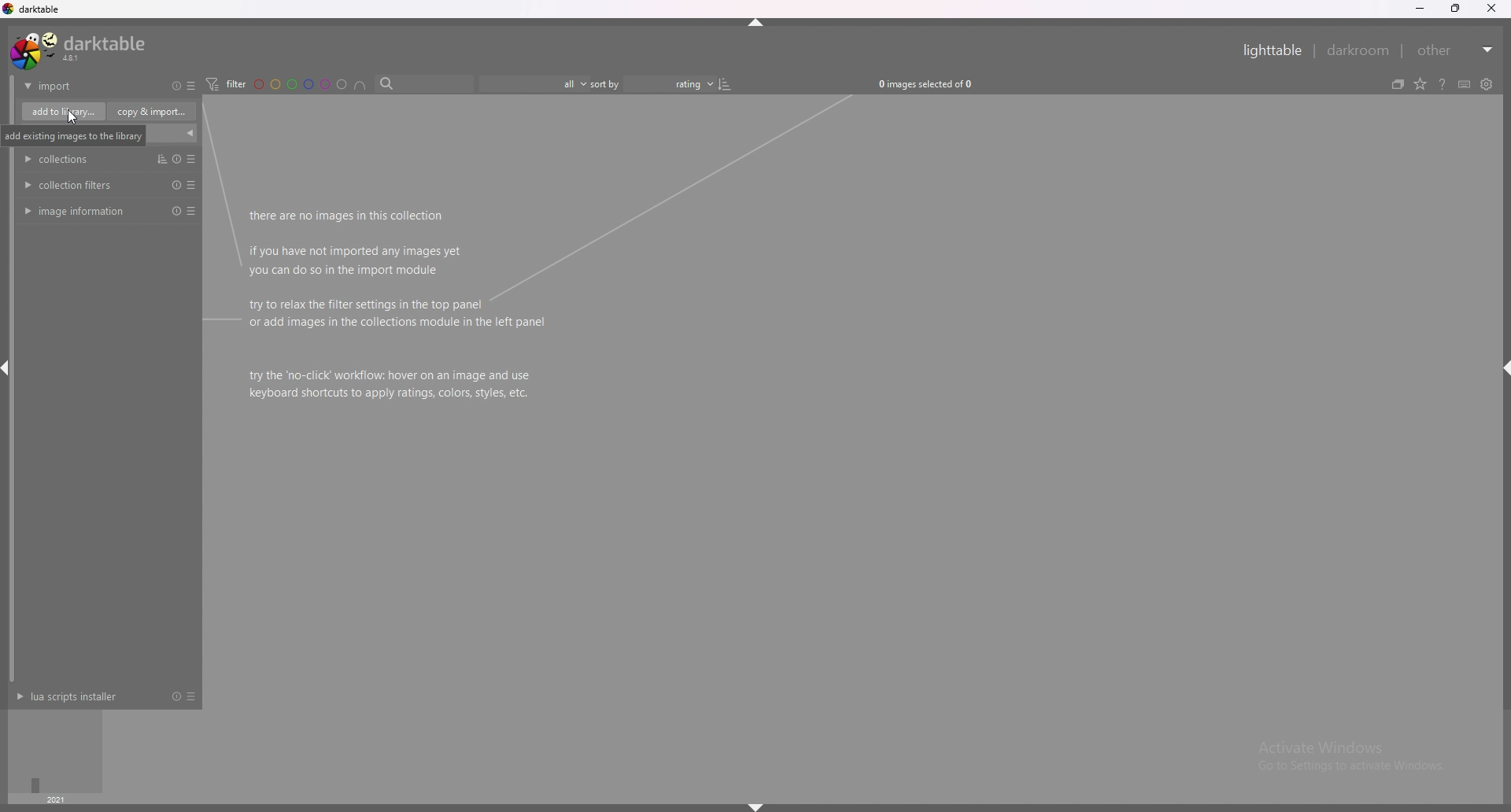 This screenshot has width=1511, height=812. Describe the element at coordinates (1456, 50) in the screenshot. I see `other` at that location.